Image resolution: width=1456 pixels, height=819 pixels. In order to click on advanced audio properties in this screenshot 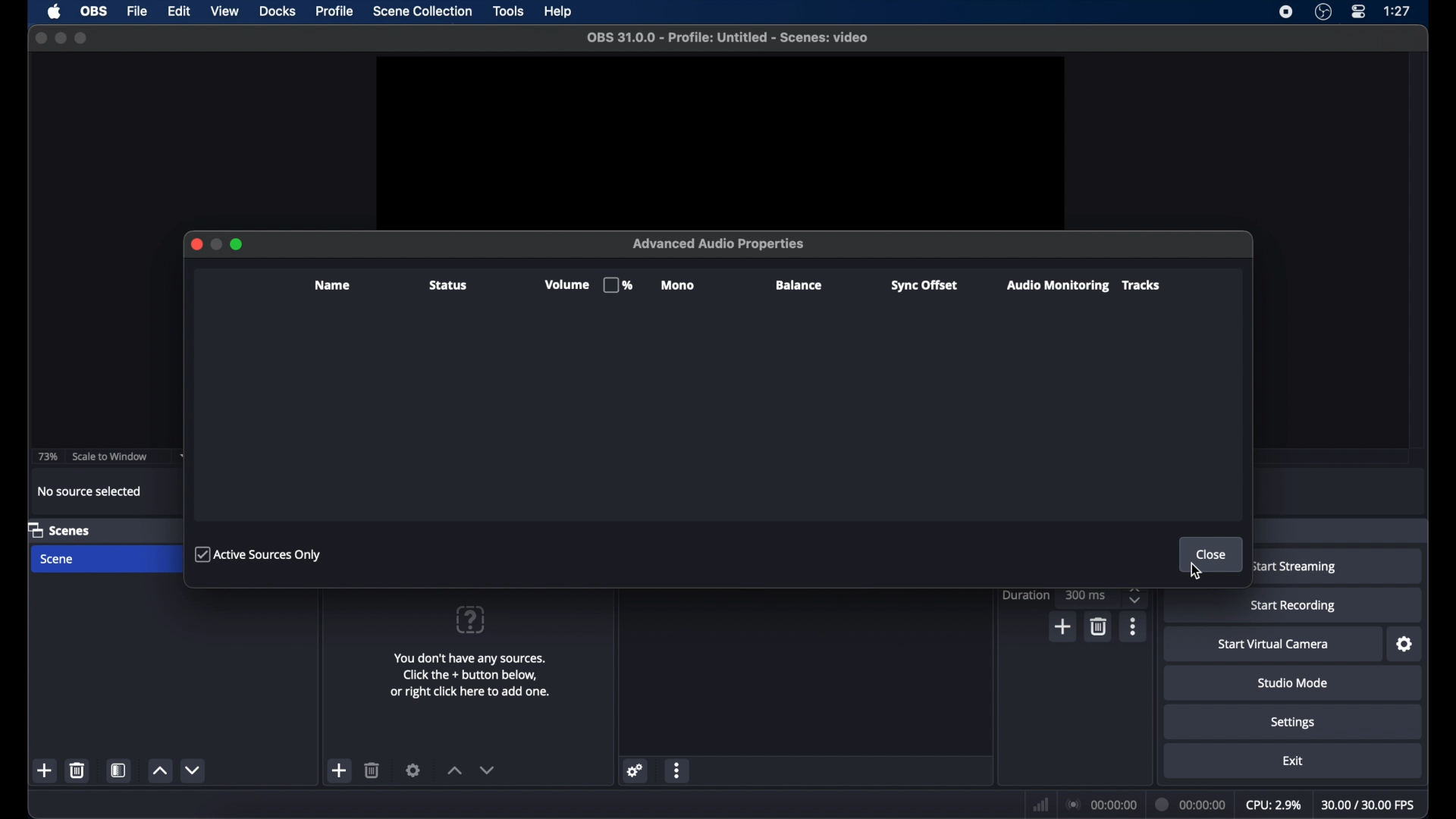, I will do `click(711, 796)`.